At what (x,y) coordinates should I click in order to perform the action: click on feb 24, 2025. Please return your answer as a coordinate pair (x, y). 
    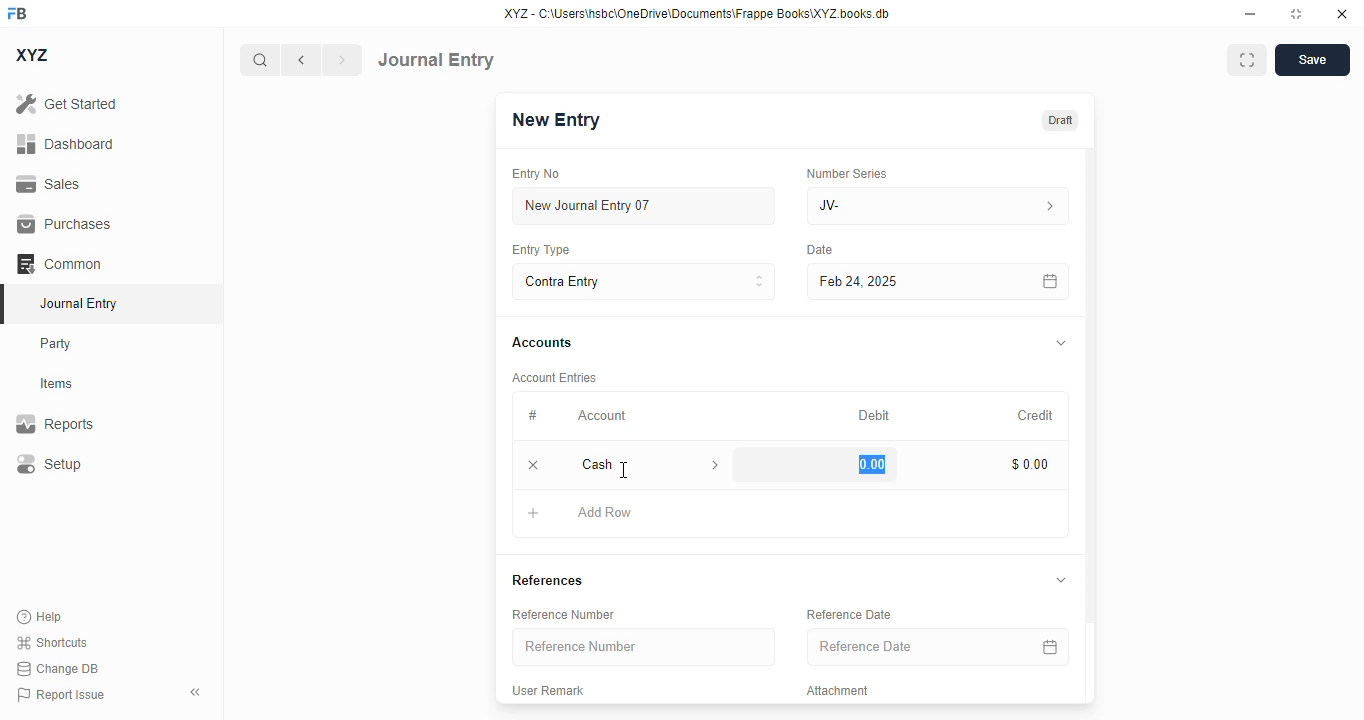
    Looking at the image, I should click on (895, 282).